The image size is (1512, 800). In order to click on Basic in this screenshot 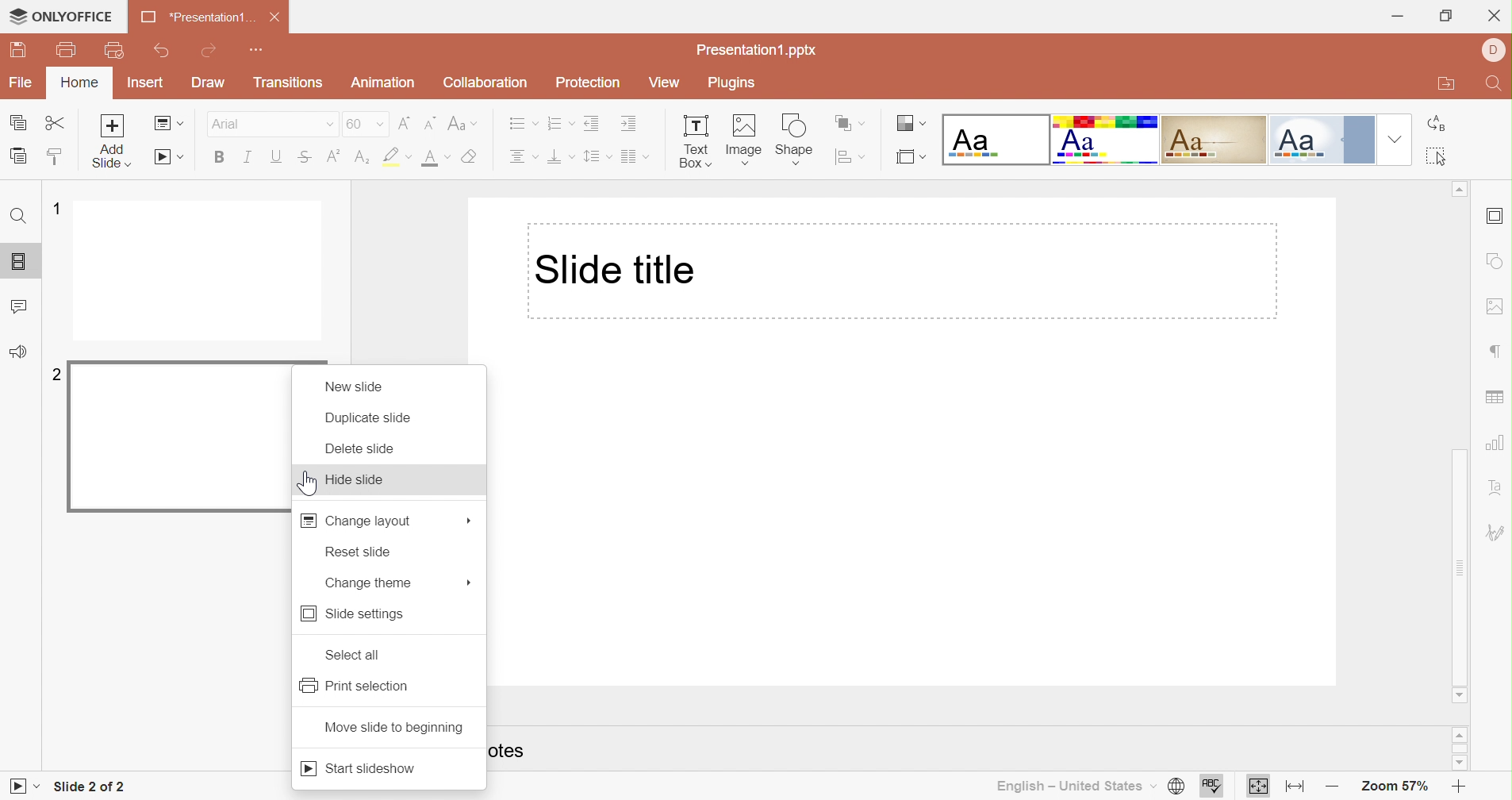, I will do `click(1105, 140)`.